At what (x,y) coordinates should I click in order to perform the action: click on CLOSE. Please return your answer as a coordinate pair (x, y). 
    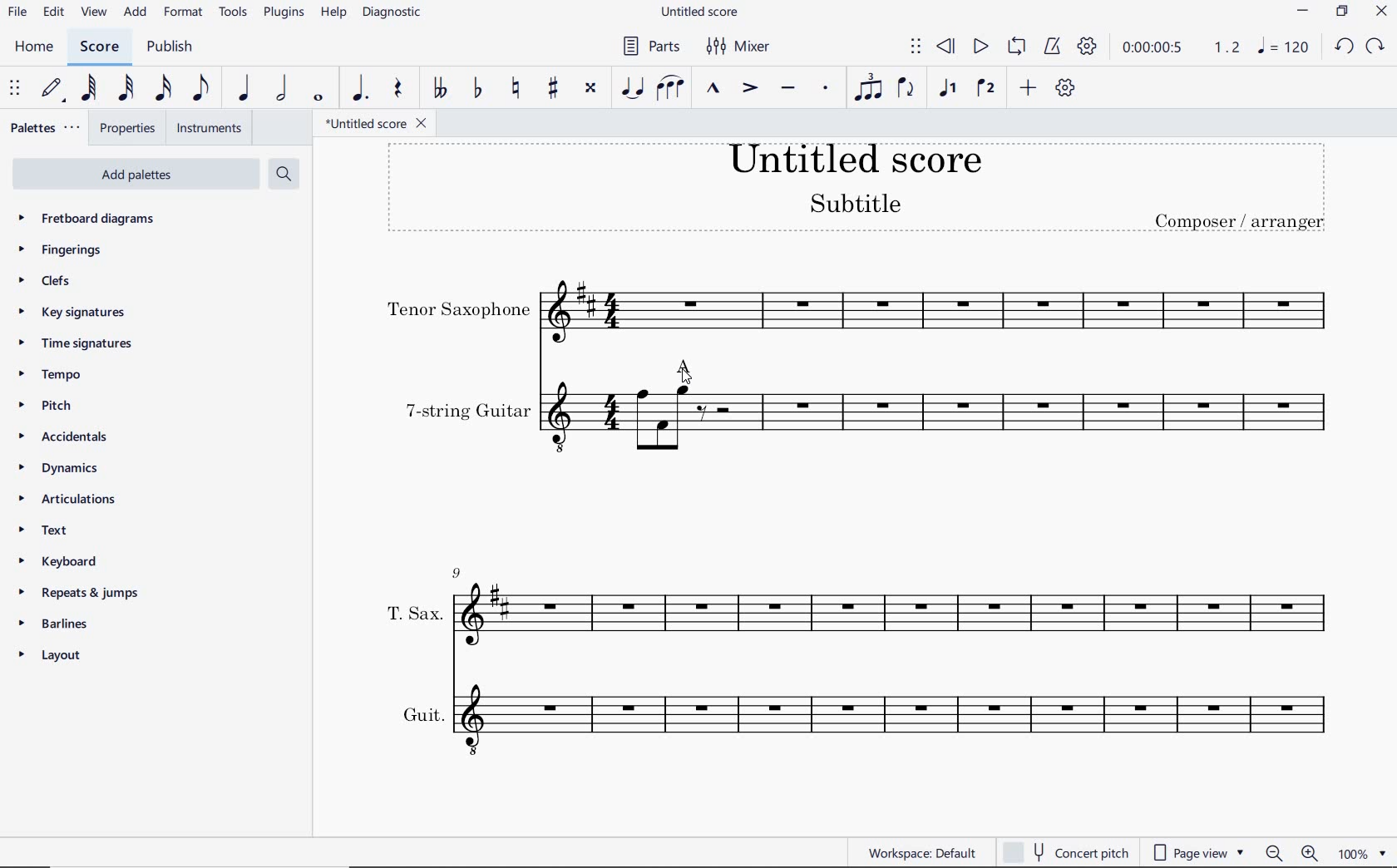
    Looking at the image, I should click on (1382, 12).